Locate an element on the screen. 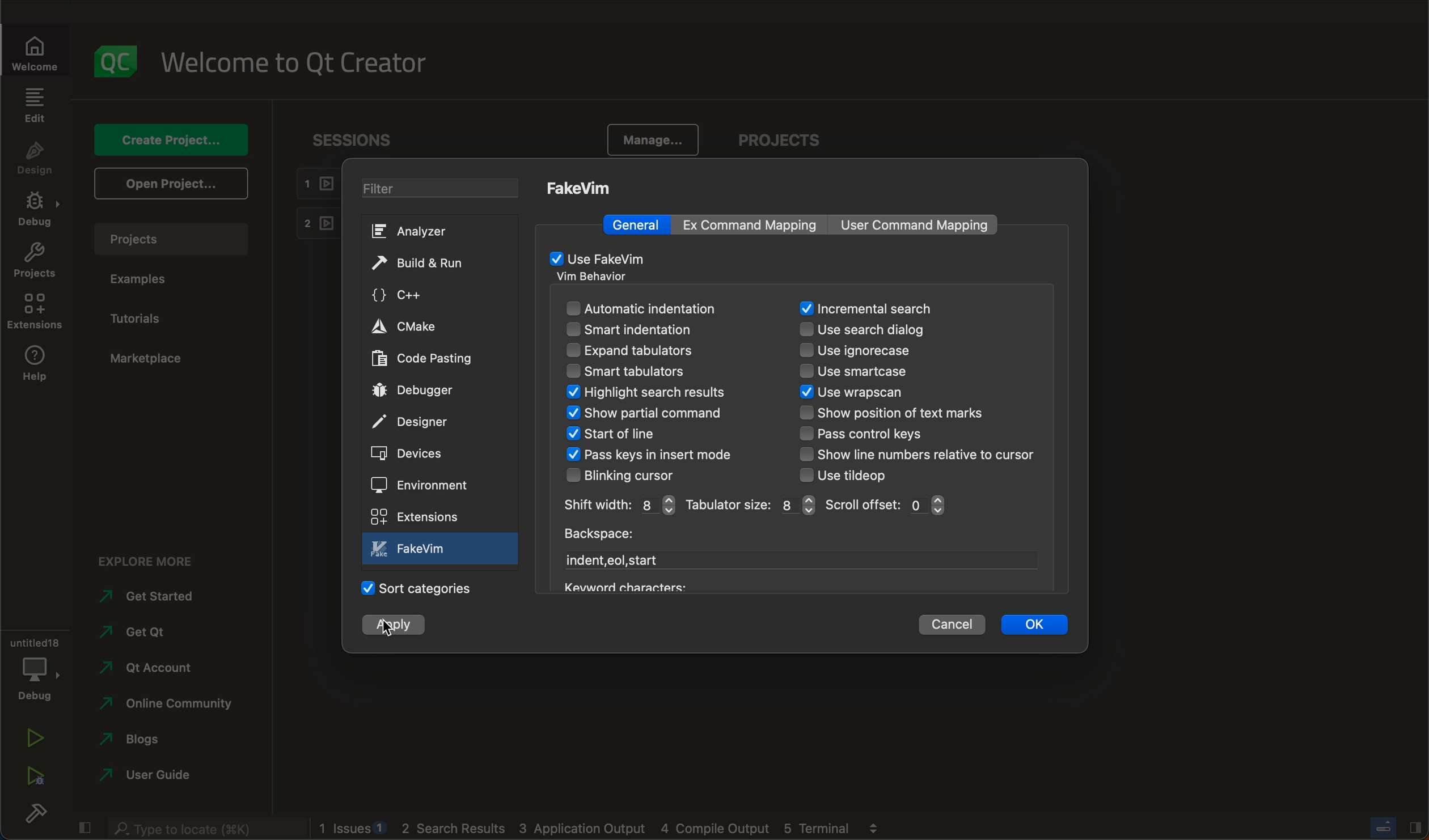 This screenshot has width=1429, height=840. build and run is located at coordinates (426, 264).